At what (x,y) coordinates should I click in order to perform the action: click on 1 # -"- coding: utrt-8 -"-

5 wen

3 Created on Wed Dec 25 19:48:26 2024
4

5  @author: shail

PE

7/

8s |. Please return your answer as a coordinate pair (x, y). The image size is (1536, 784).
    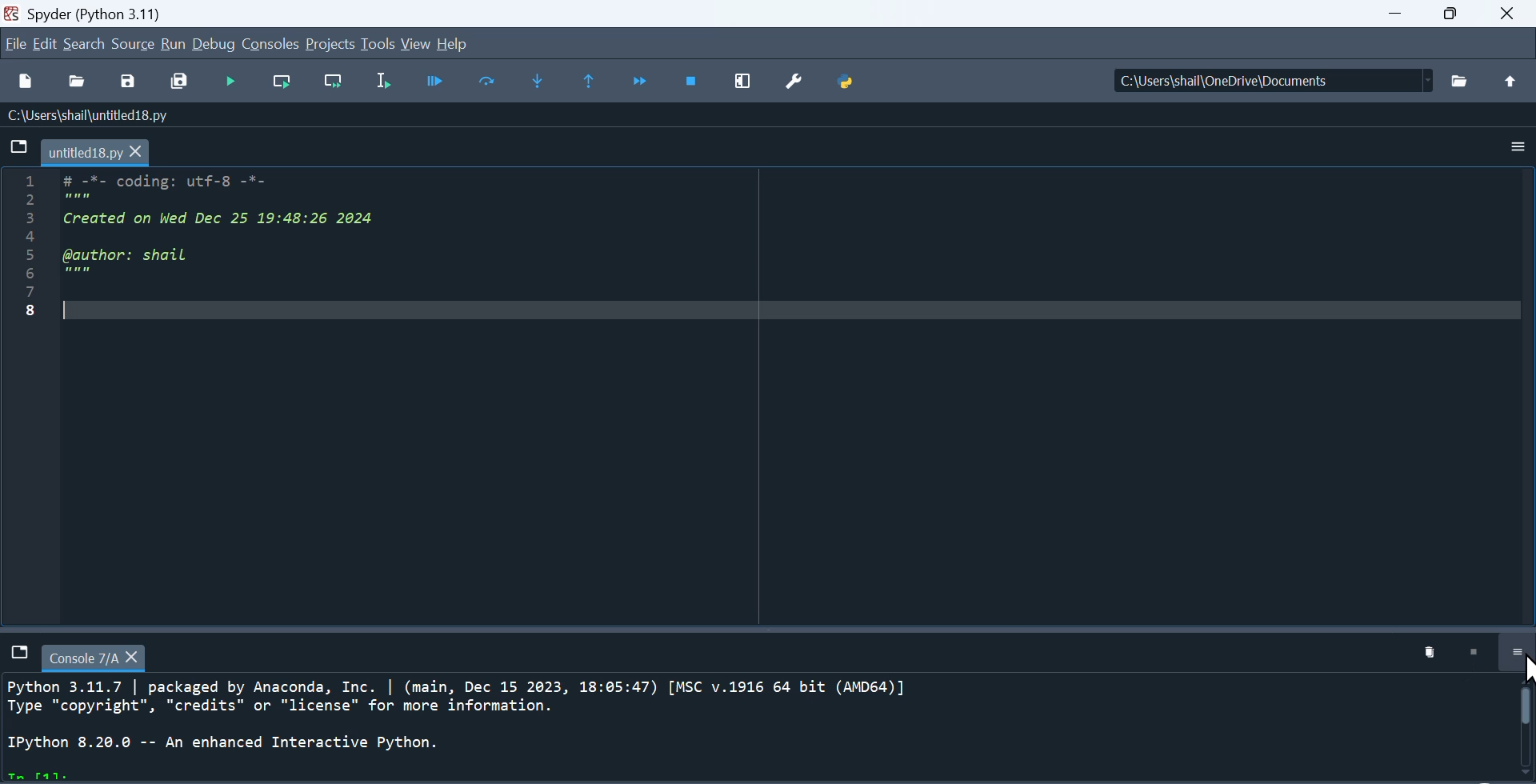
    Looking at the image, I should click on (203, 250).